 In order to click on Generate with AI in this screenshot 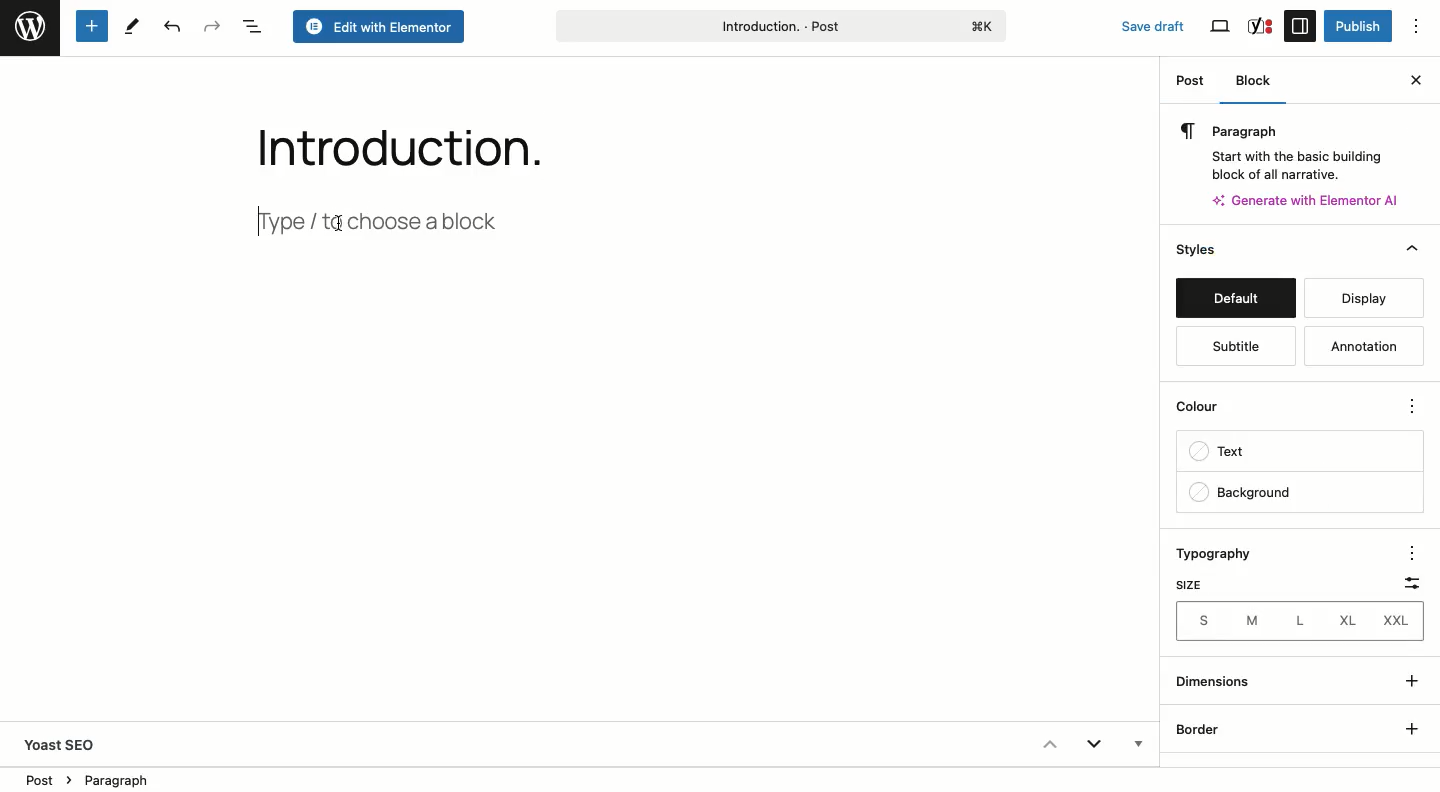, I will do `click(1314, 199)`.